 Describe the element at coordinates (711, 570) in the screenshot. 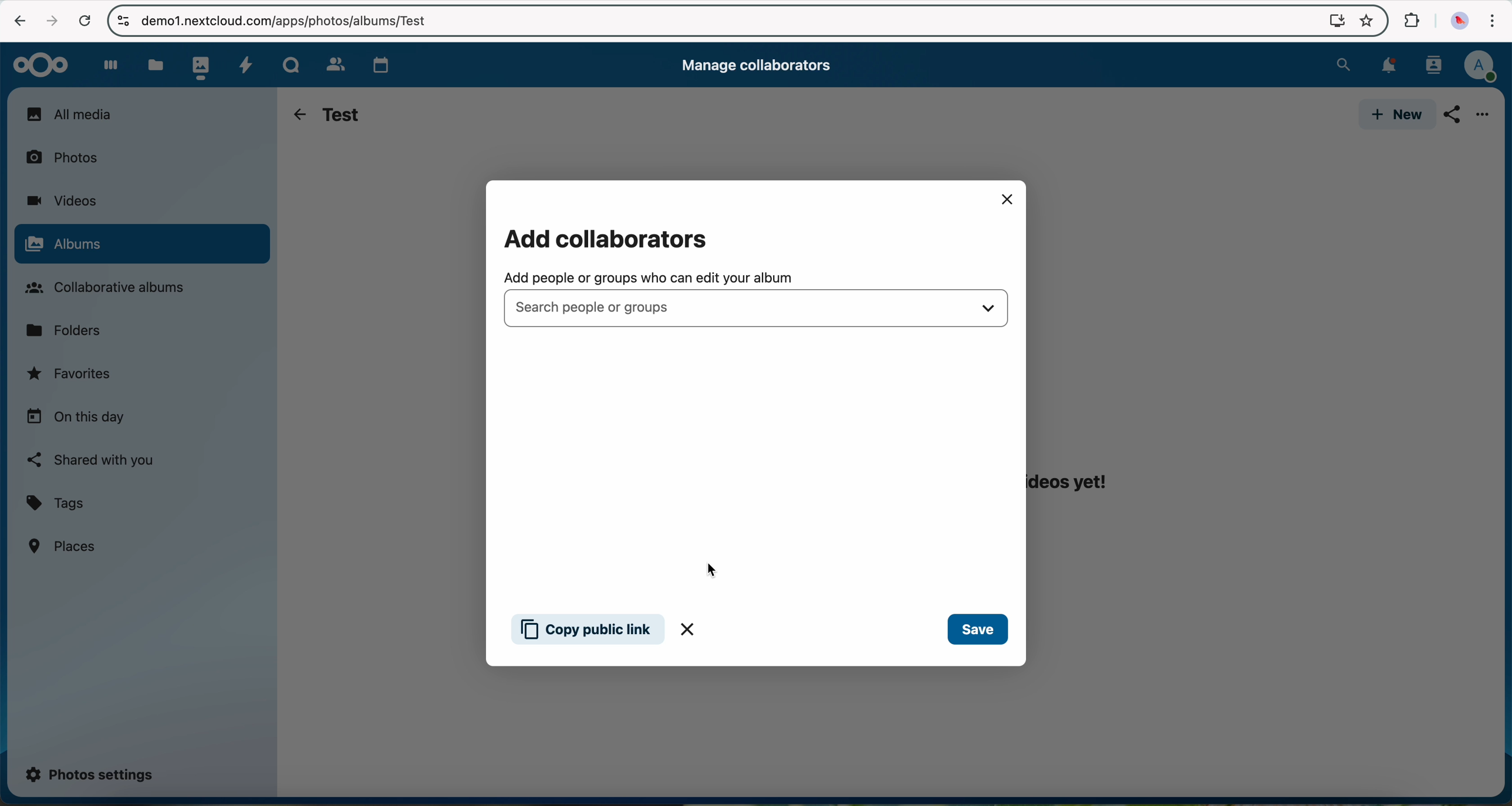

I see `cursor` at that location.